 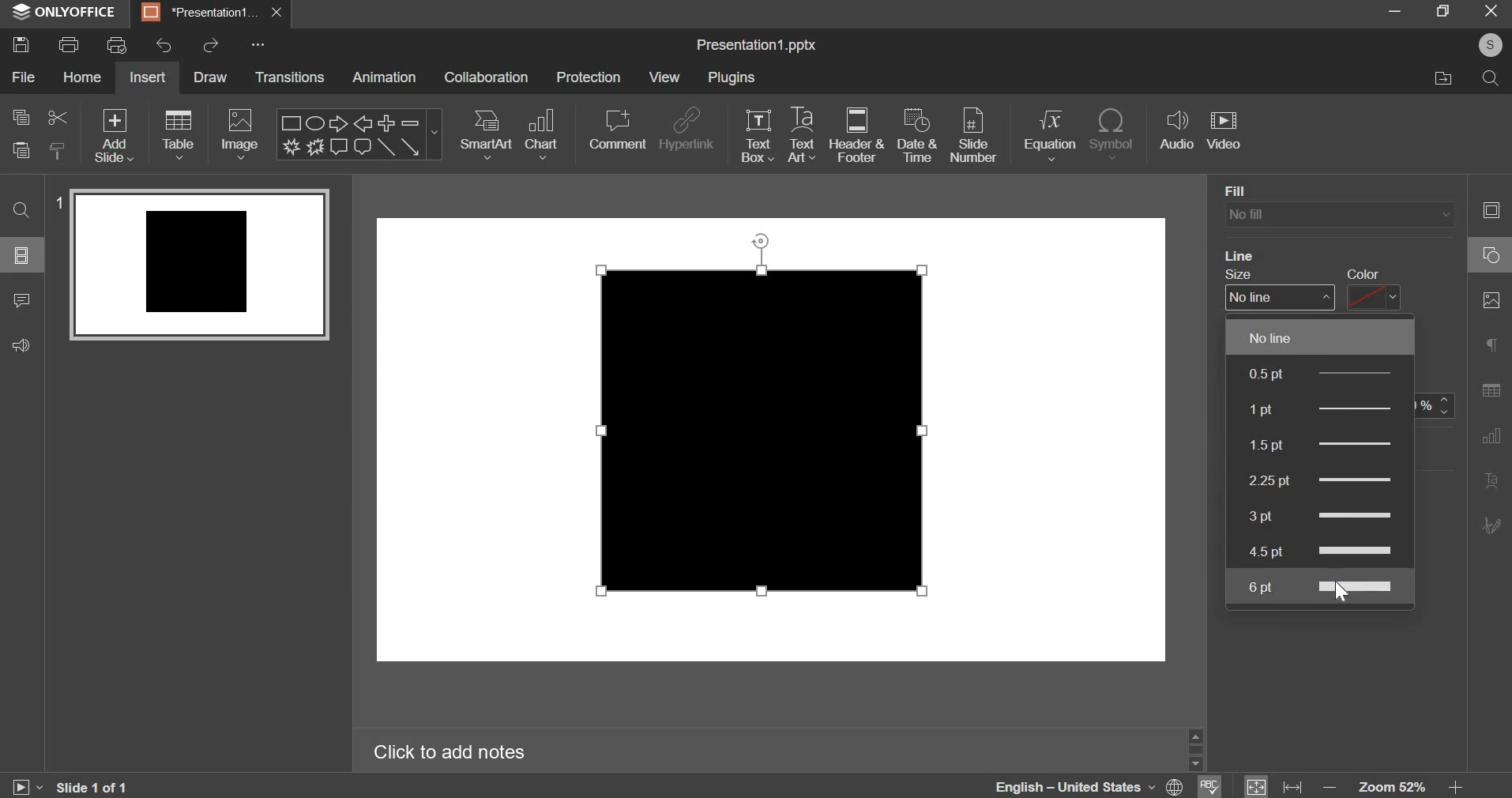 I want to click on transition, so click(x=288, y=77).